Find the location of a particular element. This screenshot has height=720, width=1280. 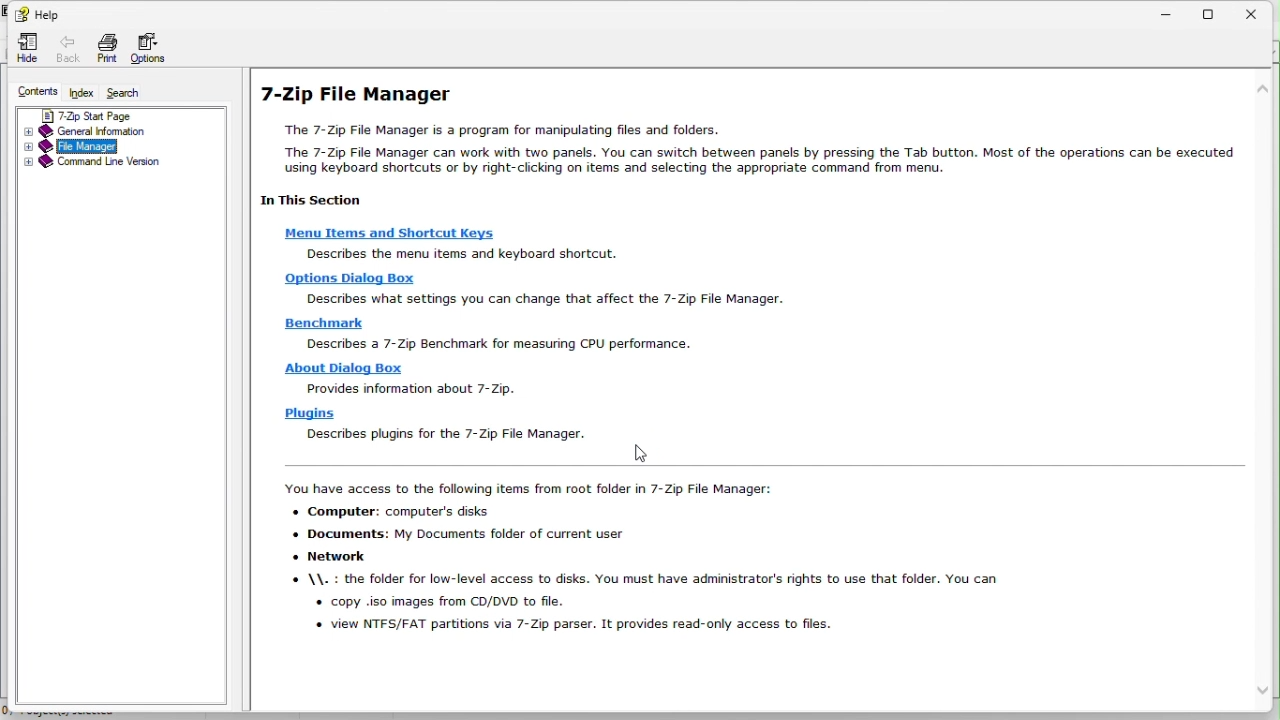

decribes what settings you can change that affect the 7-Zip File Manager is located at coordinates (555, 297).